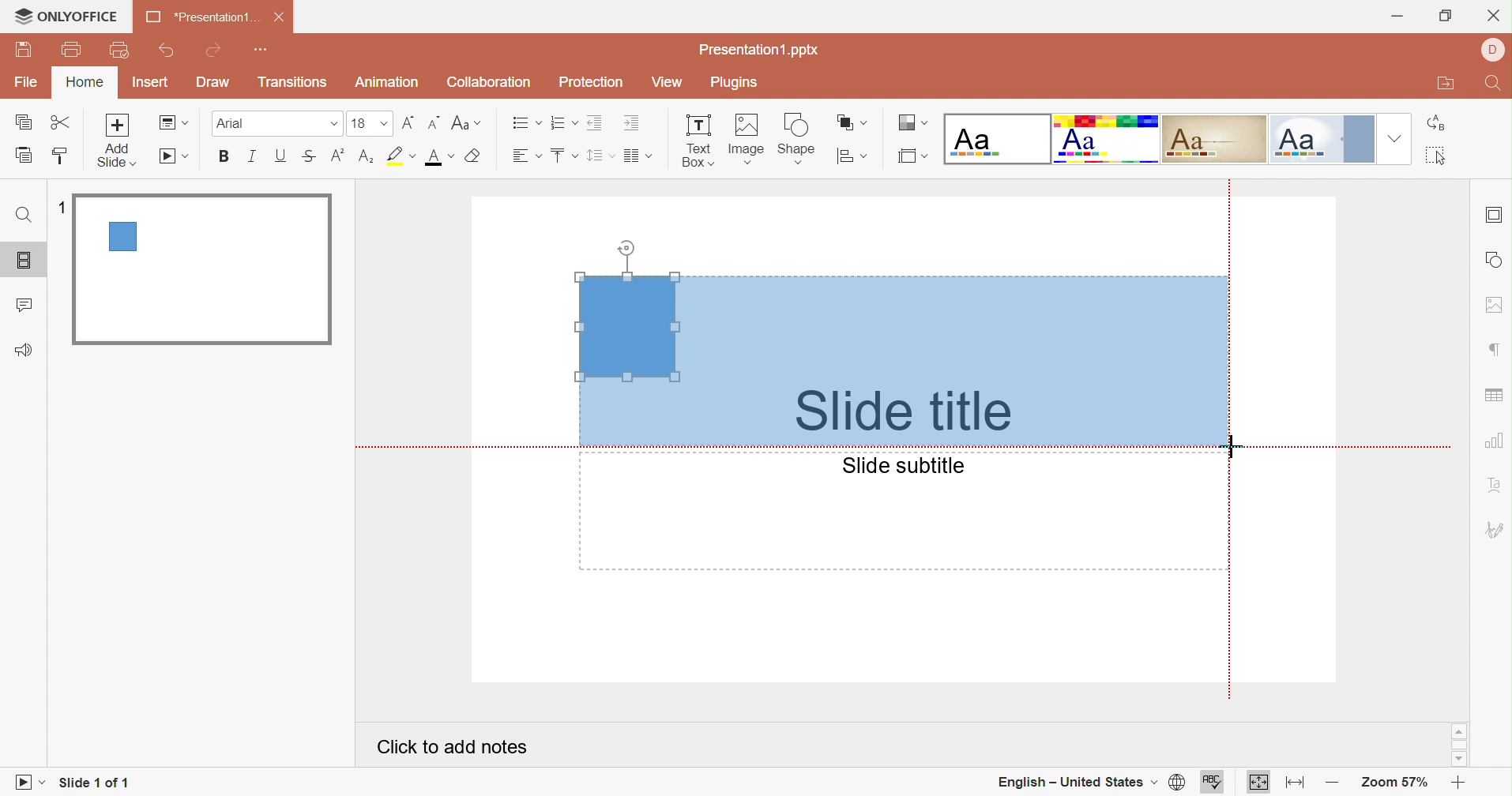  What do you see at coordinates (1322, 139) in the screenshot?
I see `Official` at bounding box center [1322, 139].